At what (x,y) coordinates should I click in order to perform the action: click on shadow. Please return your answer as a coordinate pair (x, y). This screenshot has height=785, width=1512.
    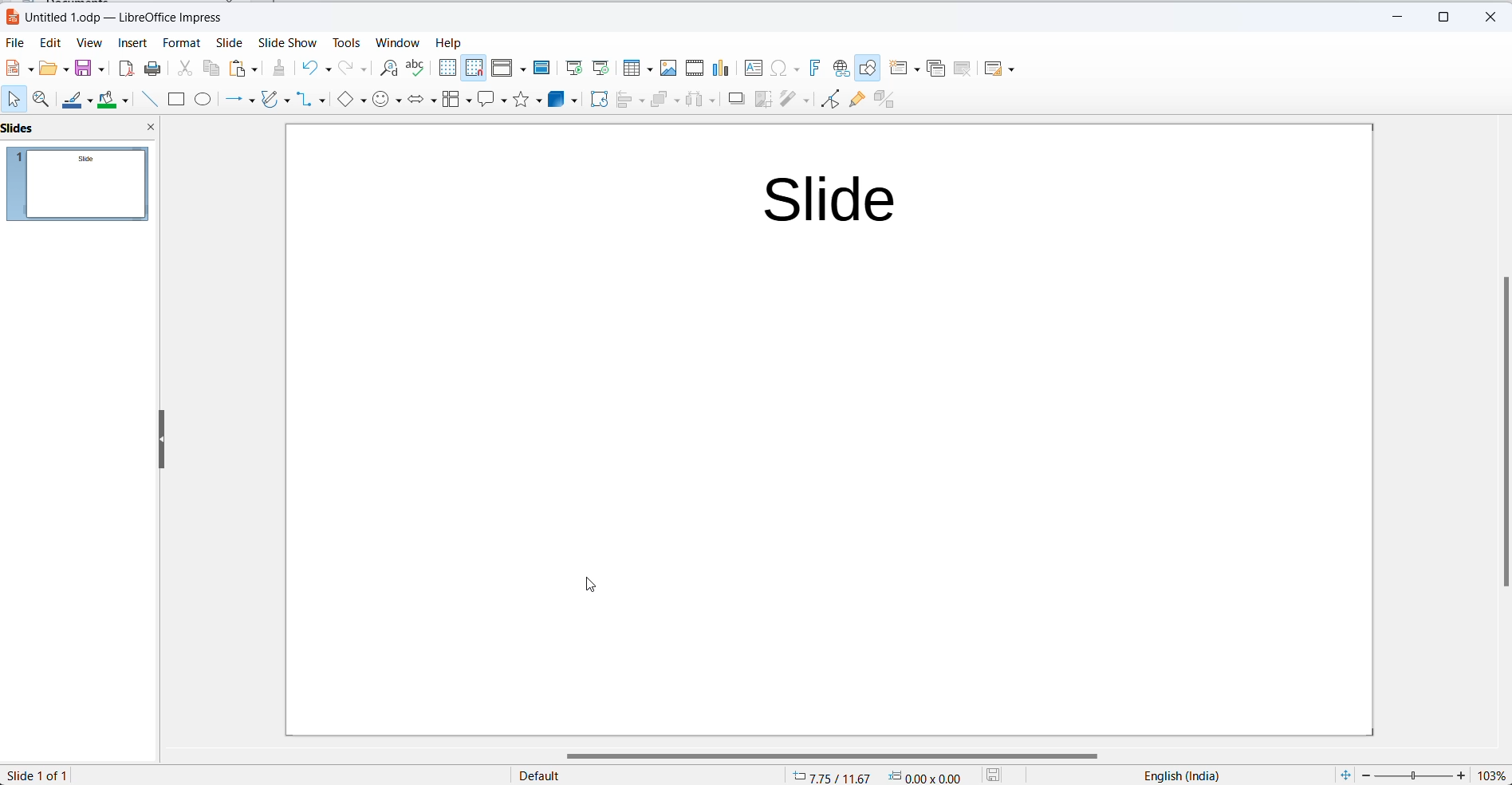
    Looking at the image, I should click on (738, 101).